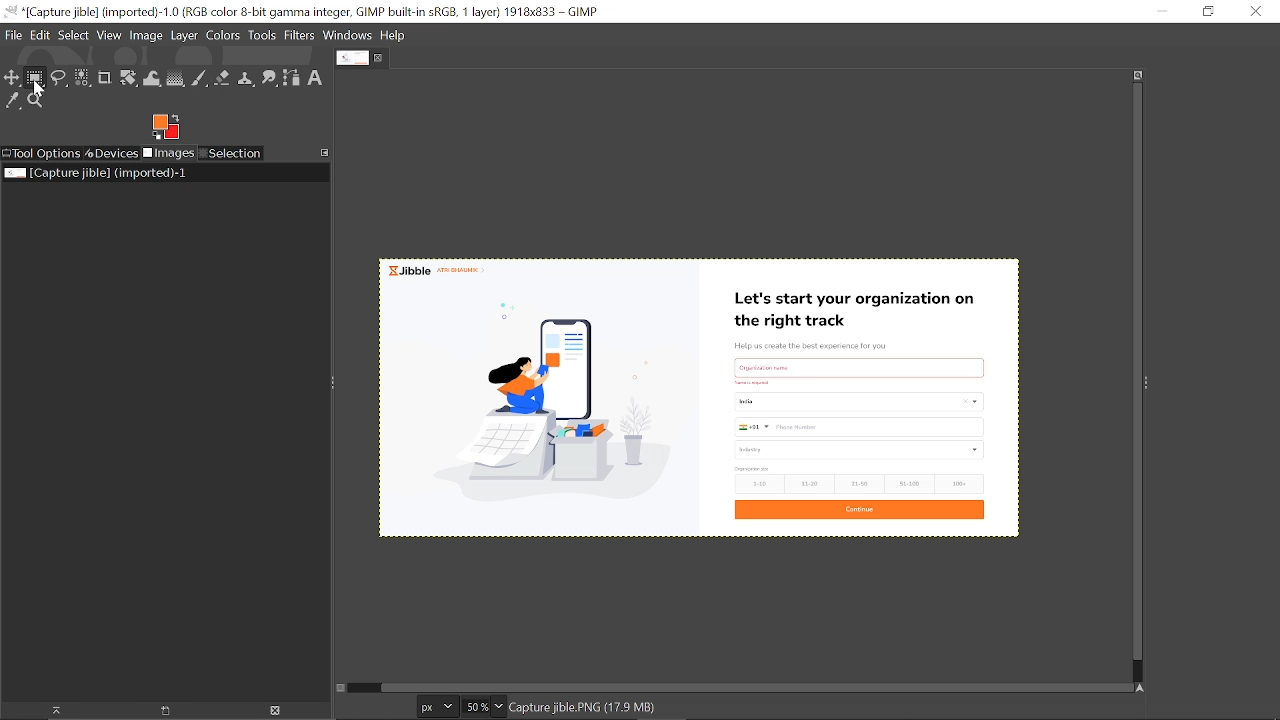  Describe the element at coordinates (104, 79) in the screenshot. I see `Crop tool` at that location.